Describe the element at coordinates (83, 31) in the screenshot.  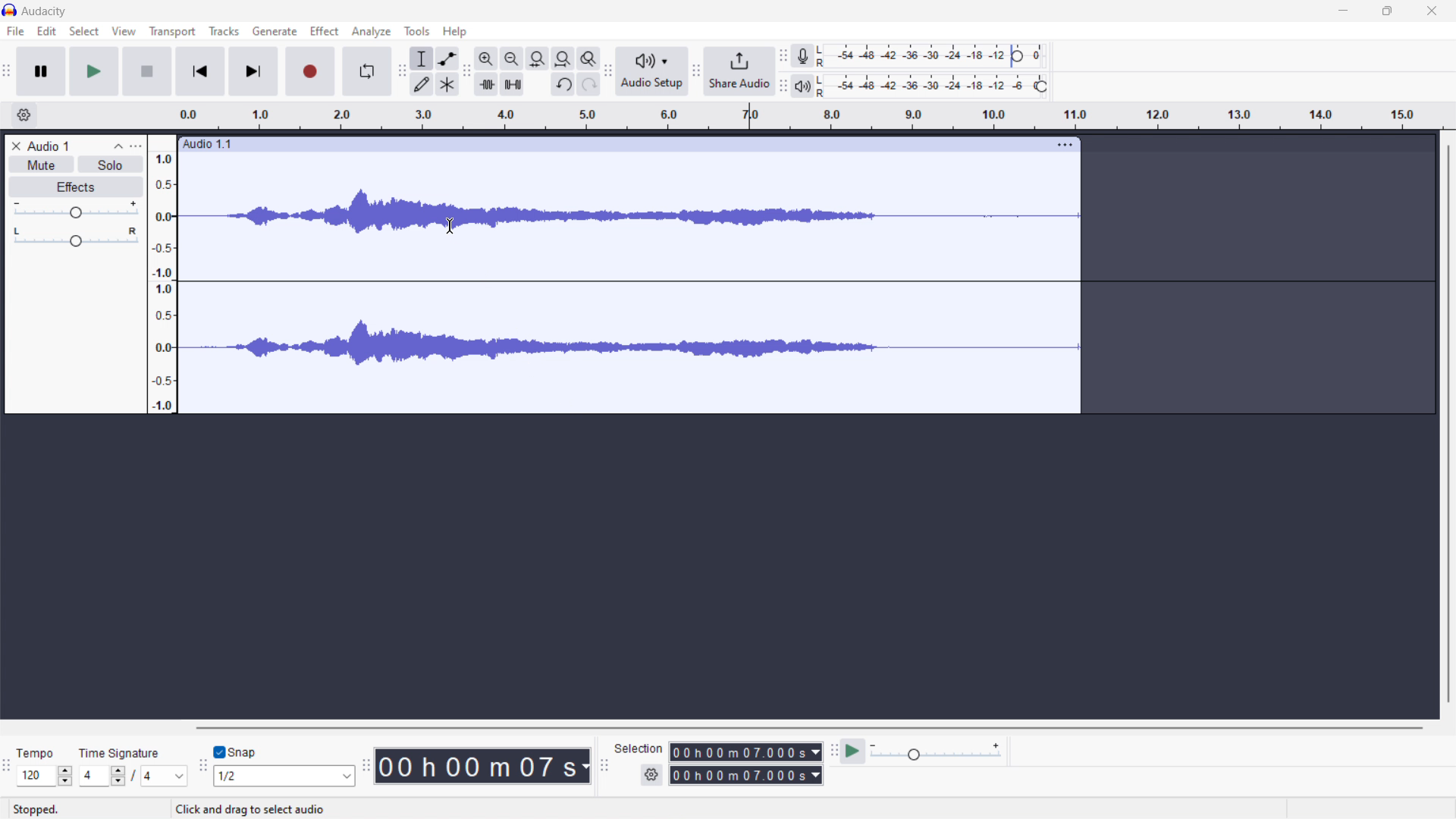
I see `select` at that location.